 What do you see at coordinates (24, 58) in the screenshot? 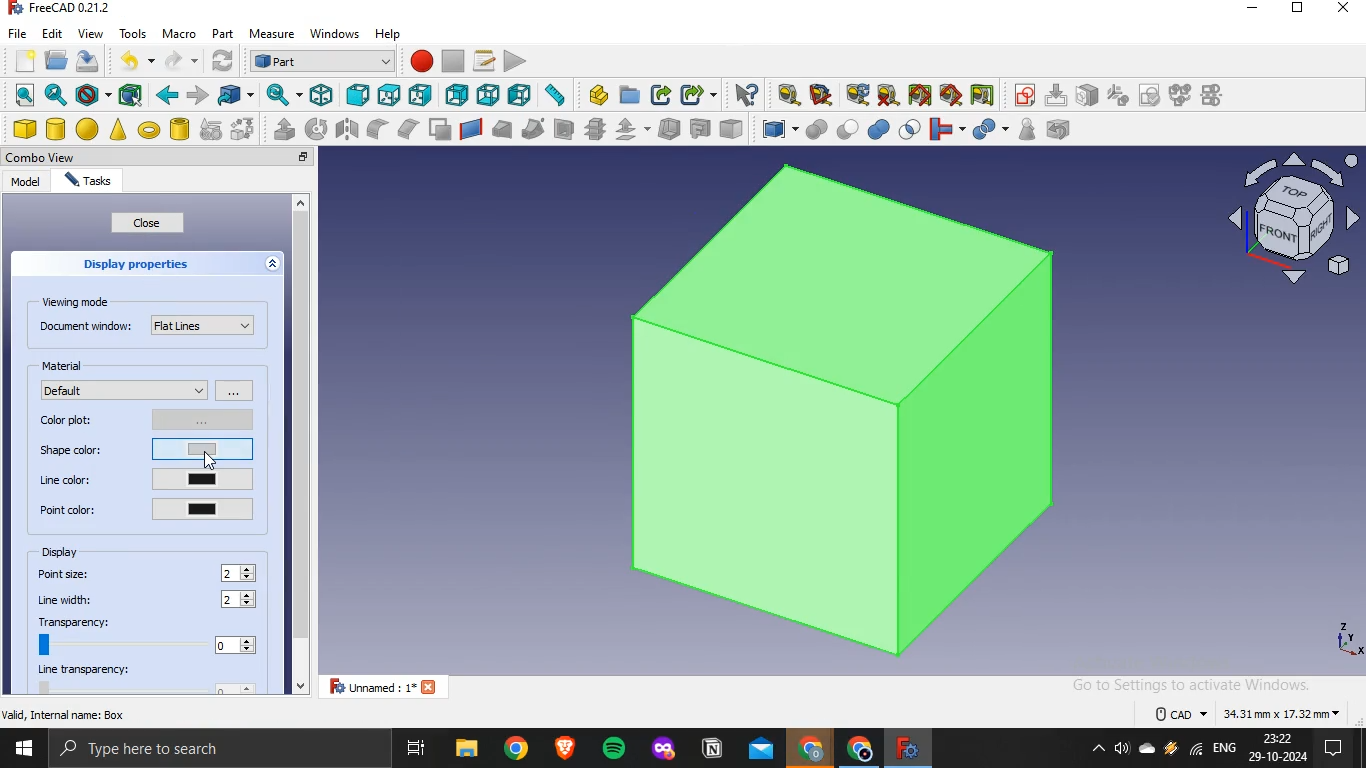
I see `new file` at bounding box center [24, 58].